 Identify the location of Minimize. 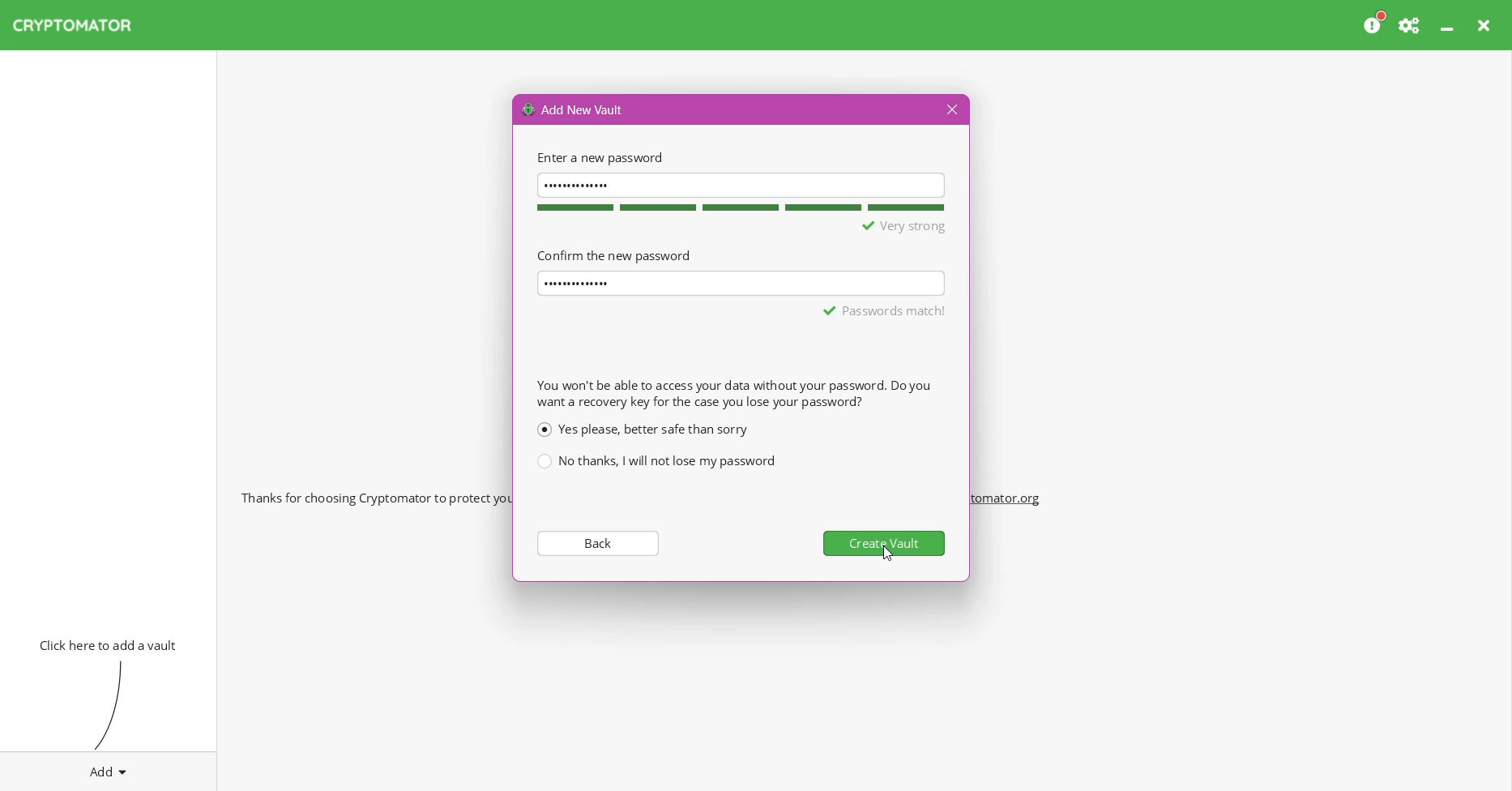
(1449, 25).